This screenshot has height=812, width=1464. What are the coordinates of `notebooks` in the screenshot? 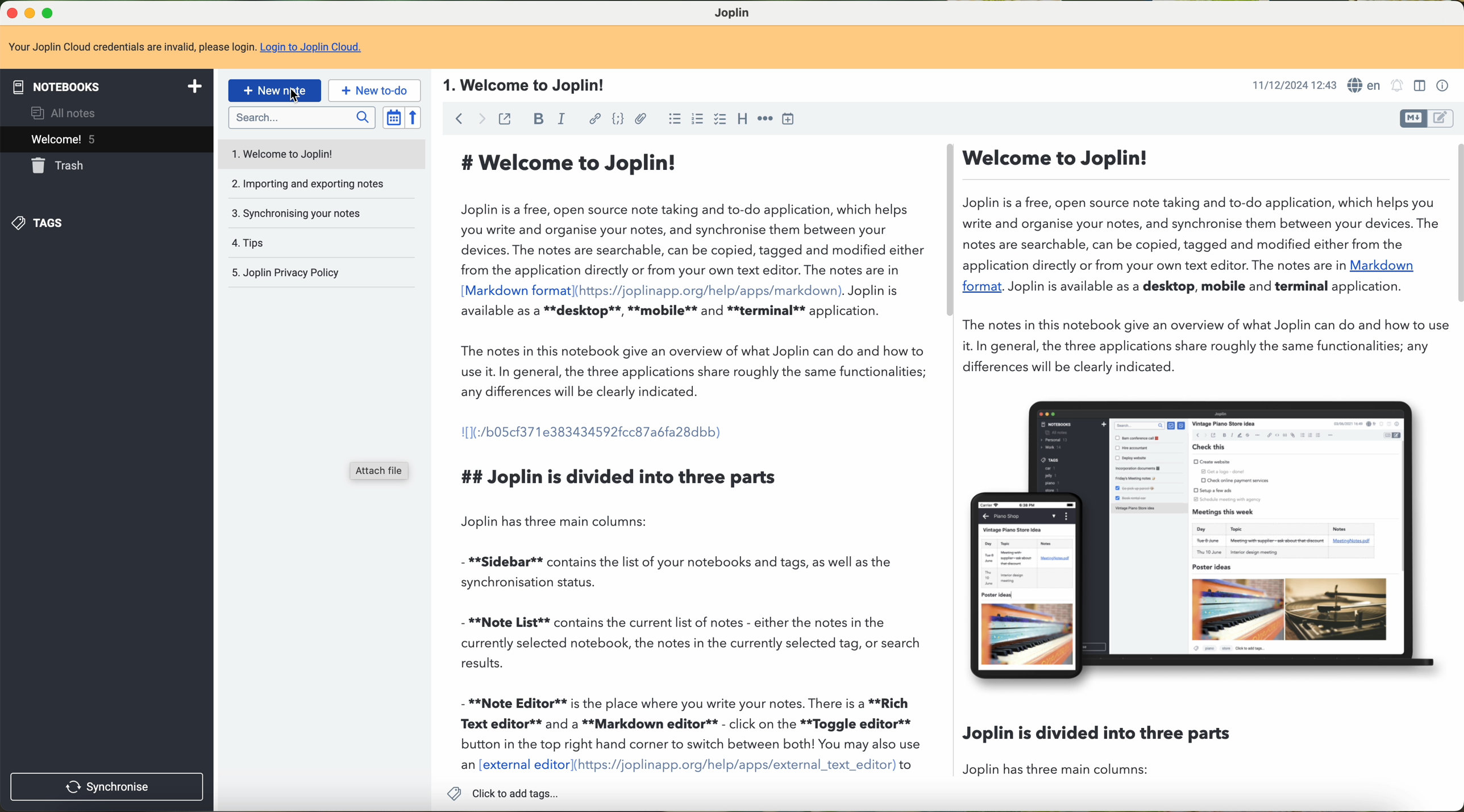 It's located at (107, 86).